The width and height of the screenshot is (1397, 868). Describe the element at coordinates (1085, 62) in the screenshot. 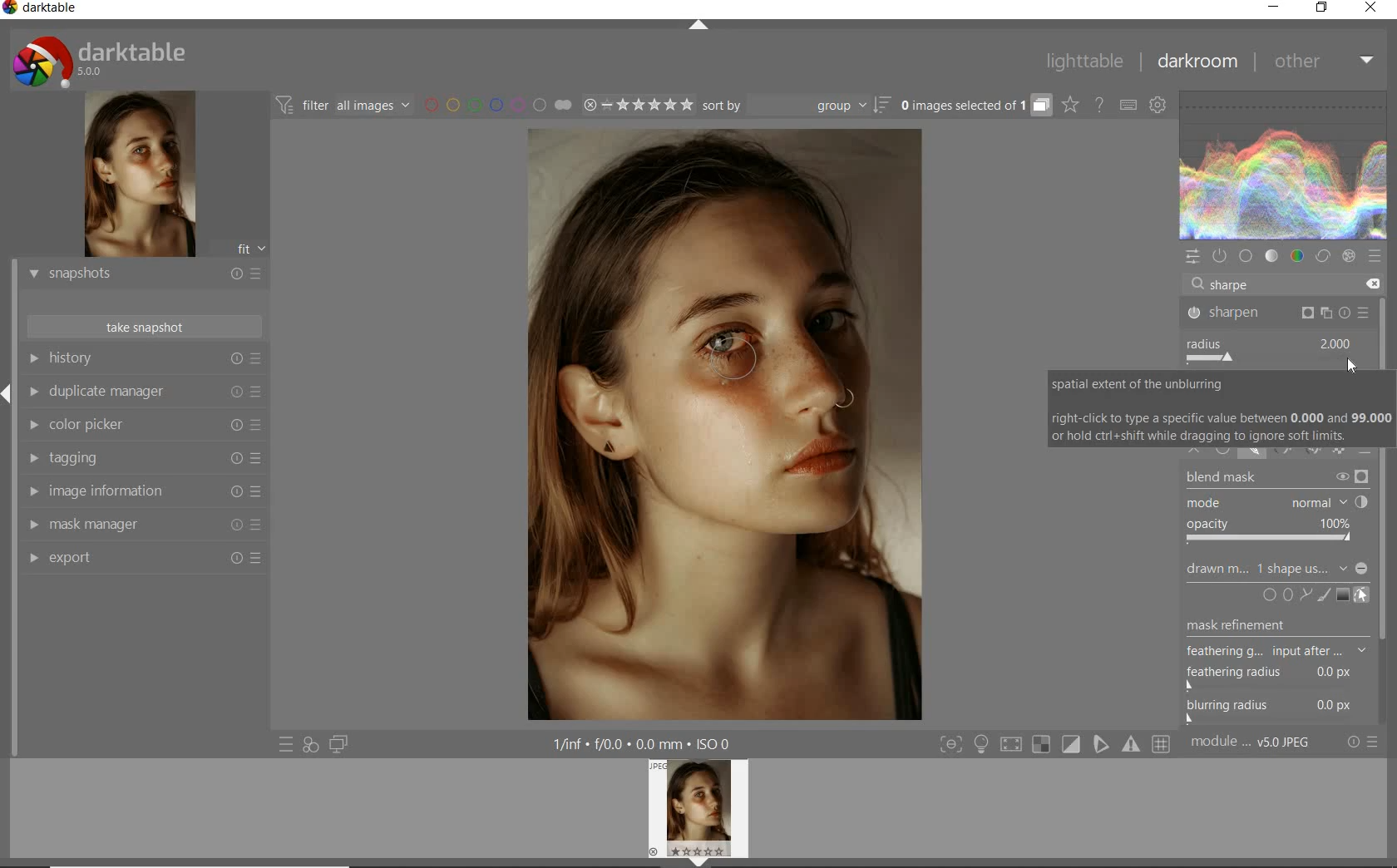

I see `lighttable` at that location.